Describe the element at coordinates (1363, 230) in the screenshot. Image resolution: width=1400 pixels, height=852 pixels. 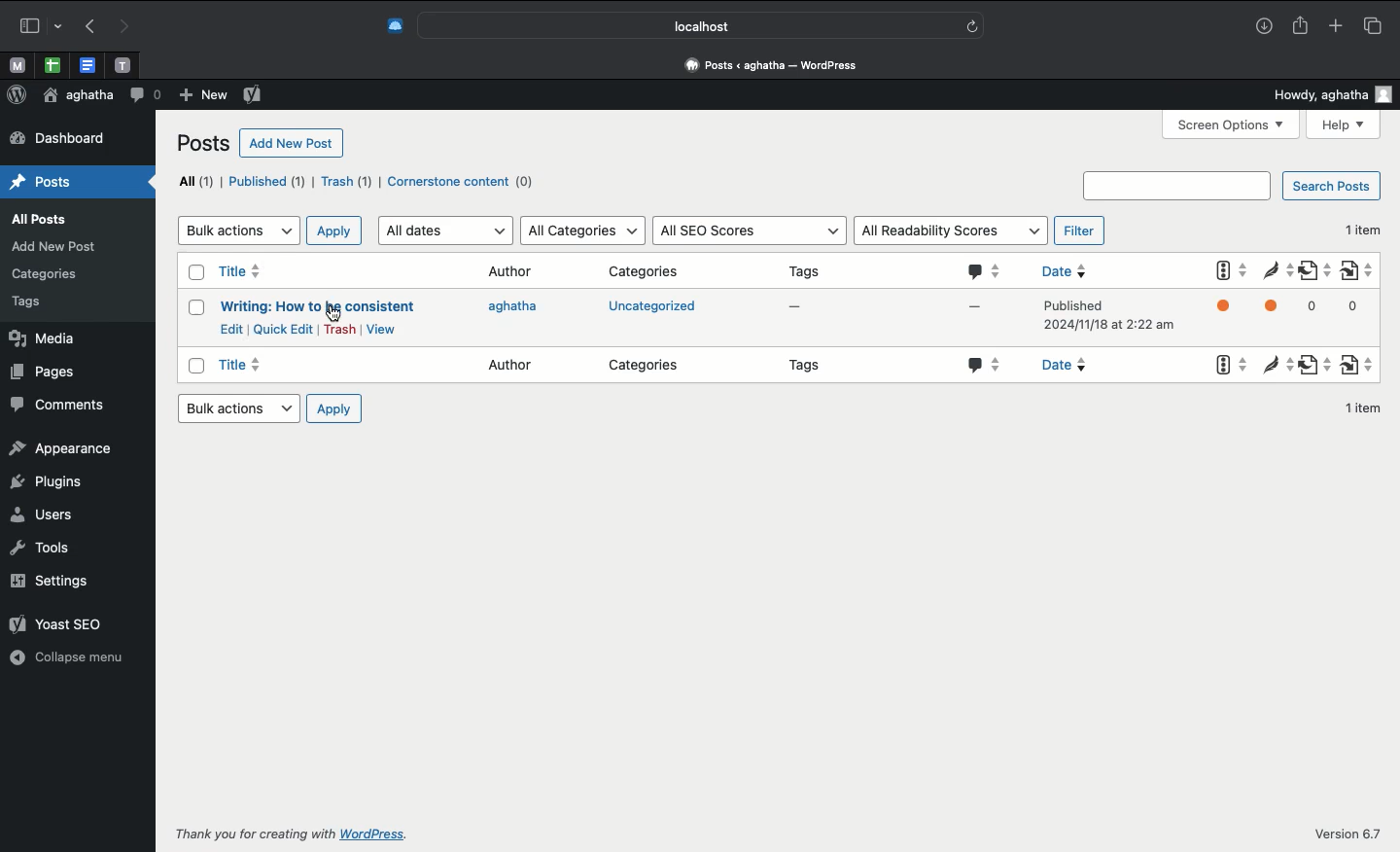
I see `1 item` at that location.